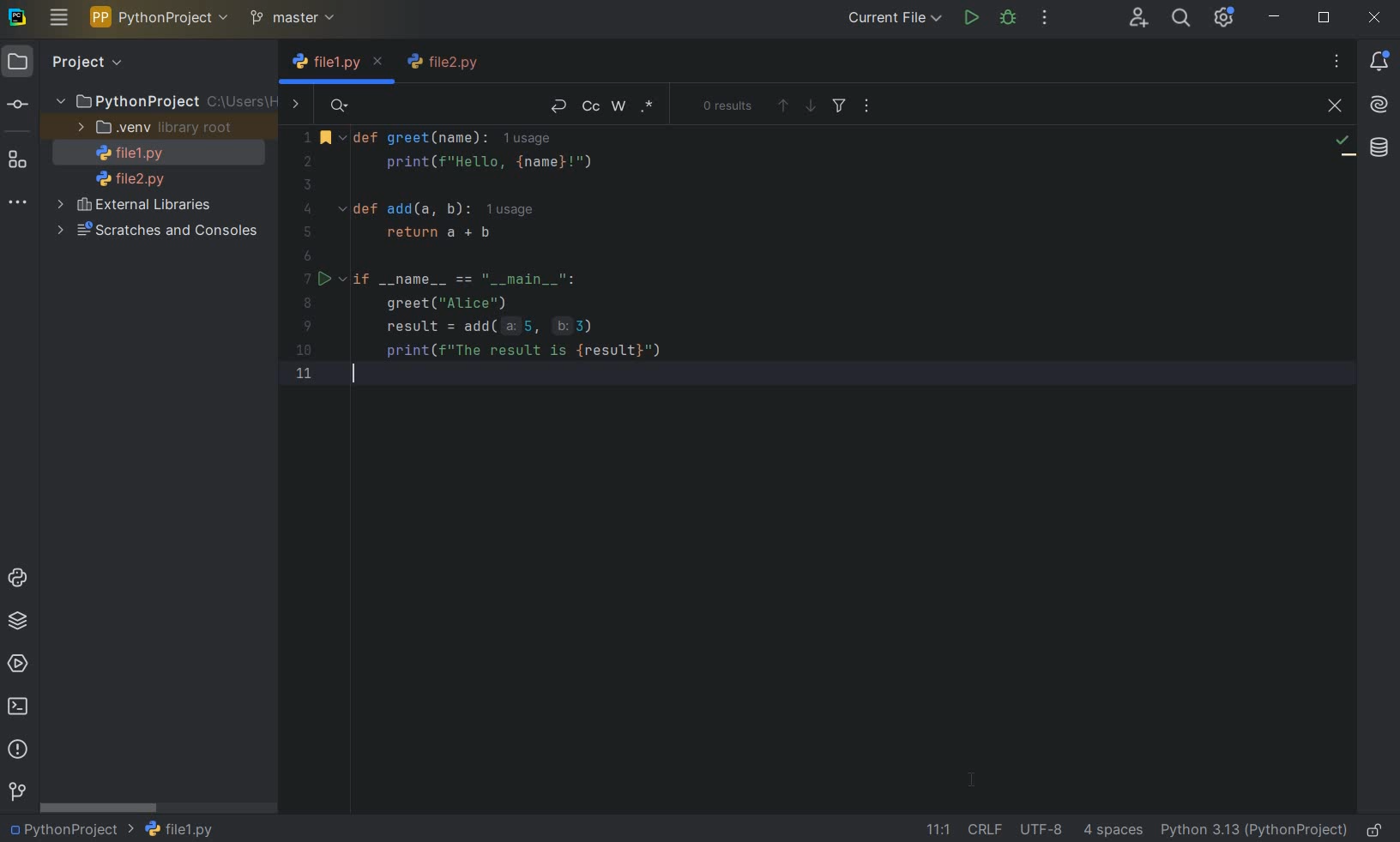  I want to click on TERMINAL, so click(22, 703).